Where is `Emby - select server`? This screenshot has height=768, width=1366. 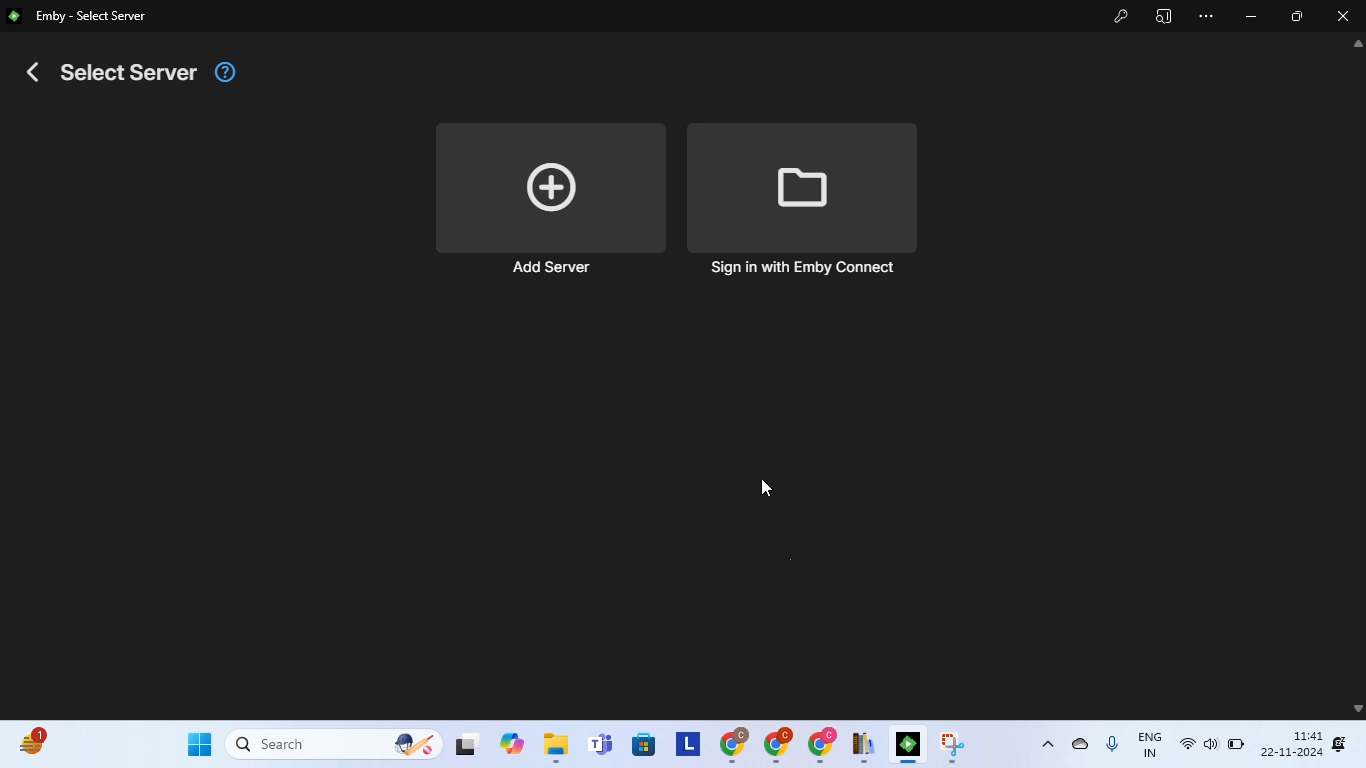
Emby - select server is located at coordinates (92, 18).